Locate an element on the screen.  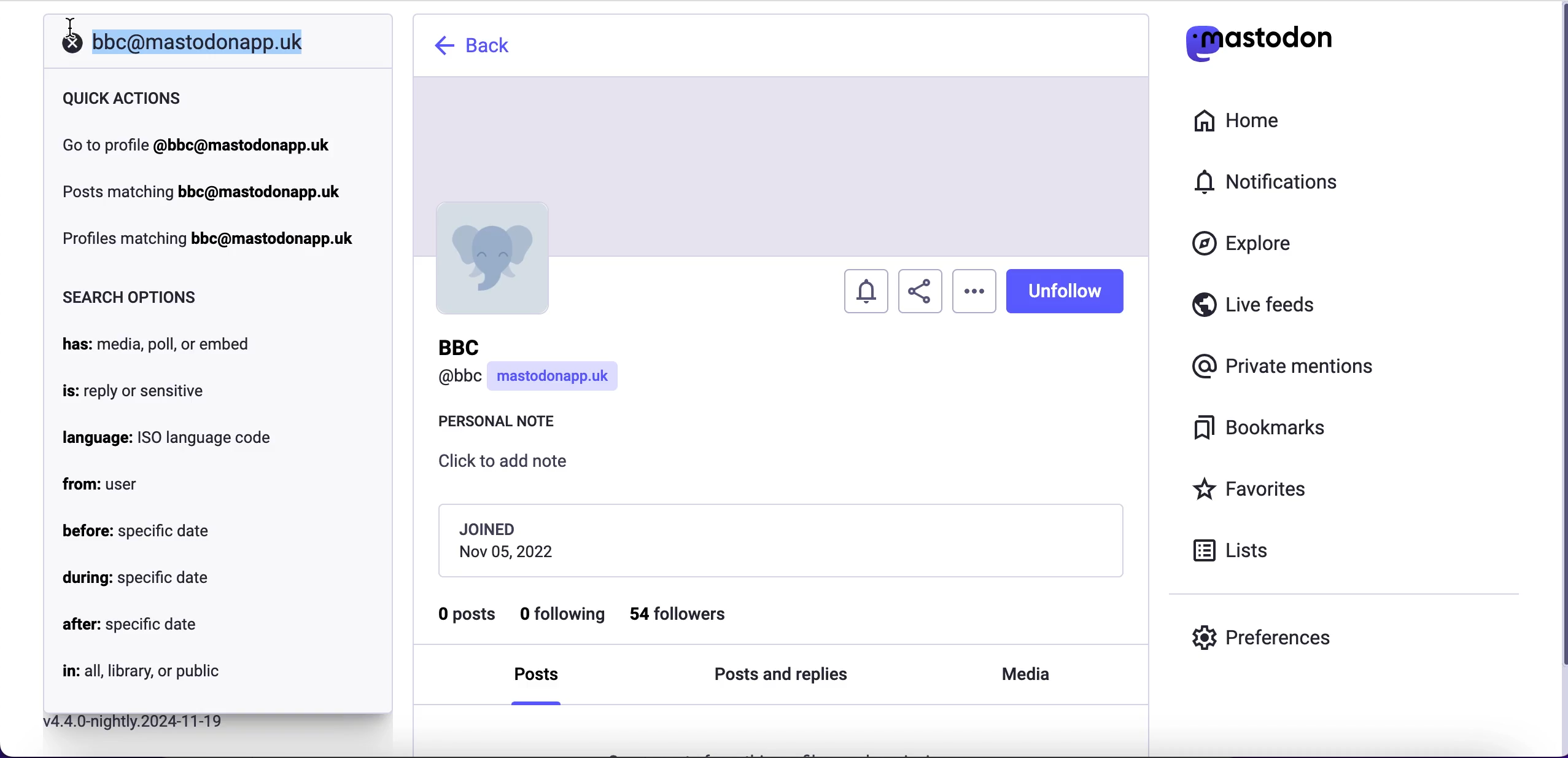
0 posts is located at coordinates (468, 619).